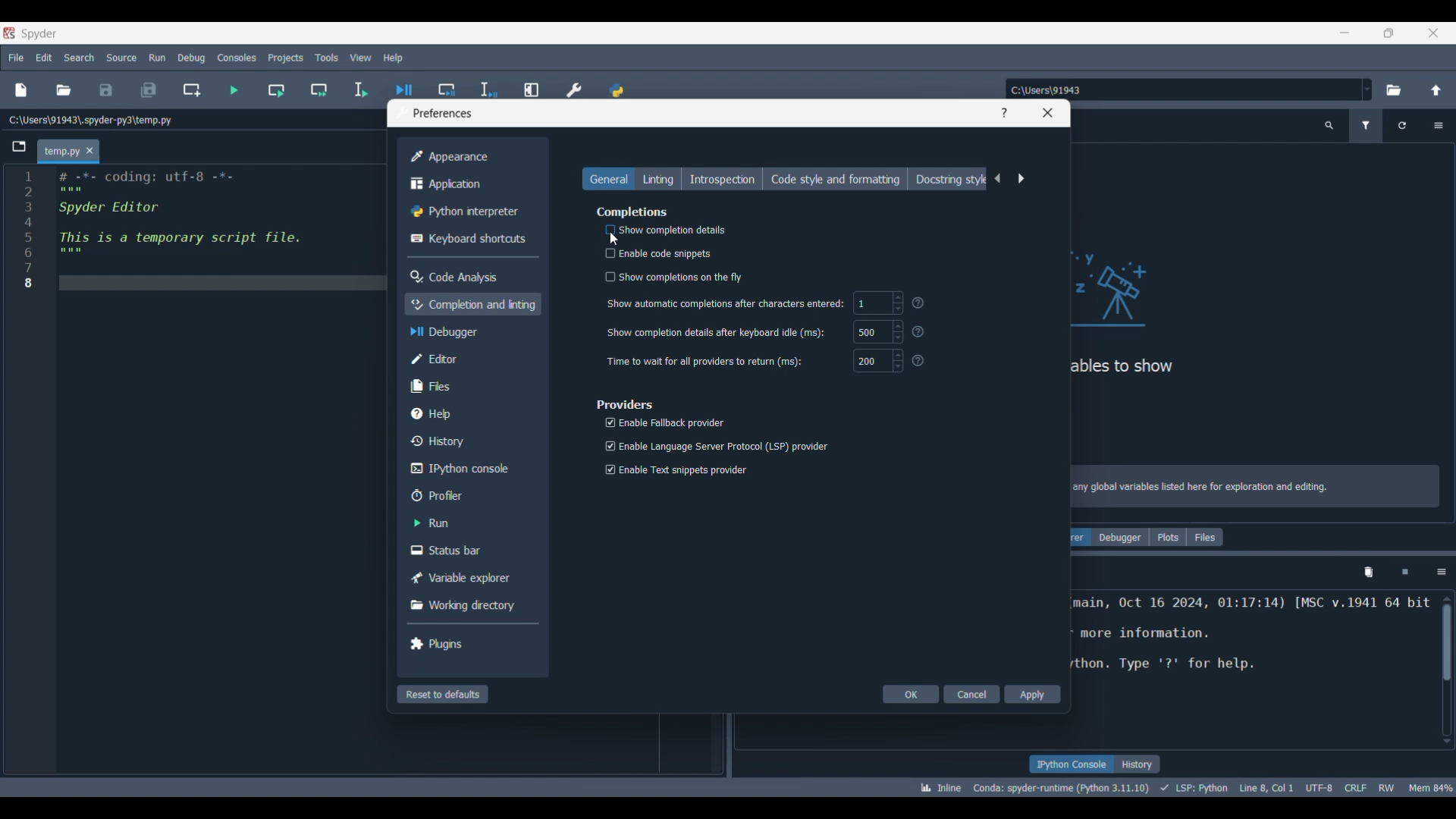 The image size is (1456, 819). Describe the element at coordinates (575, 86) in the screenshot. I see `Preferences` at that location.